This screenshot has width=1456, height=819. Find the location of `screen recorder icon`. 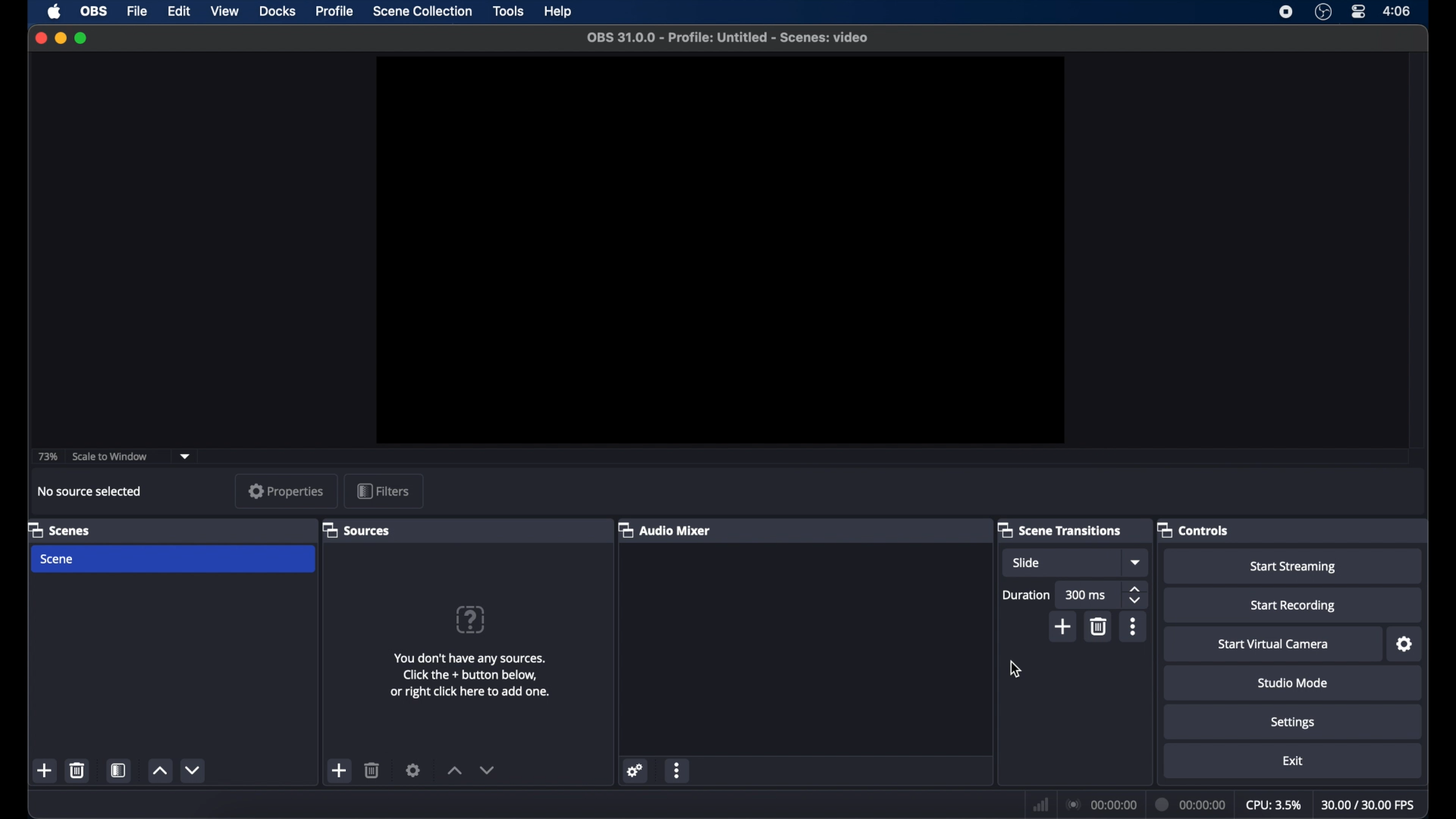

screen recorder icon is located at coordinates (1285, 11).